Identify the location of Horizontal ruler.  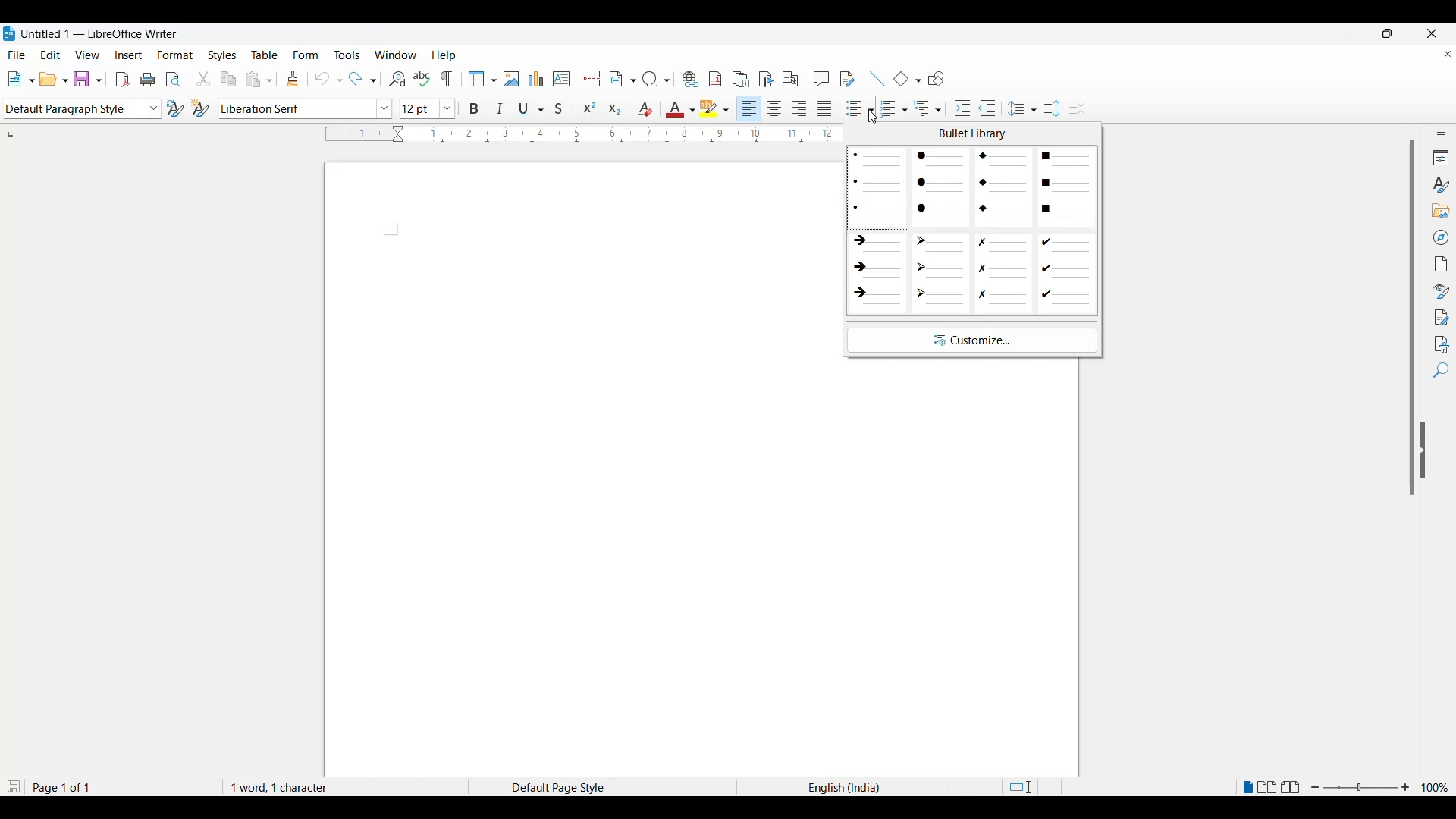
(599, 132).